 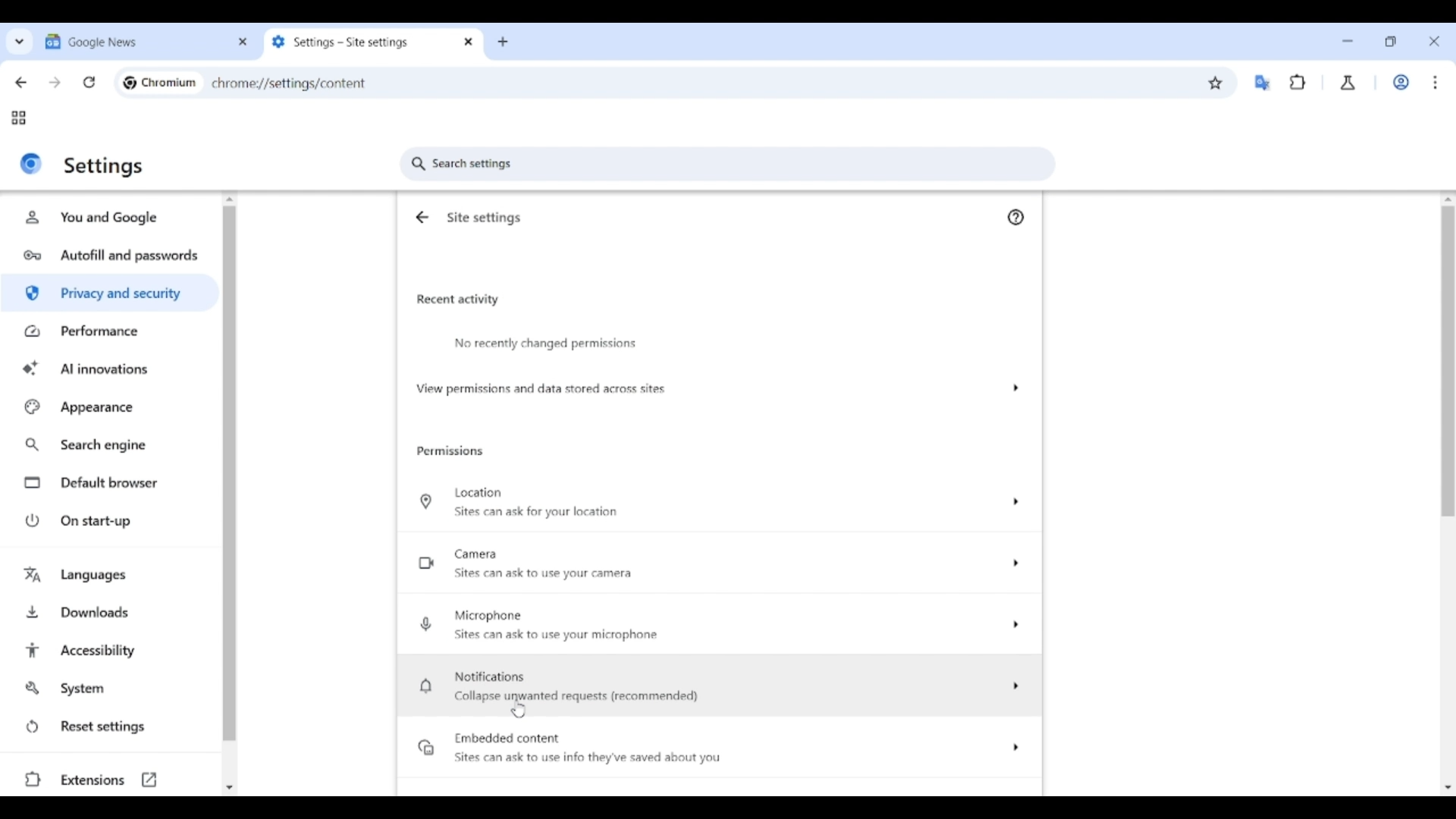 I want to click on Microphone options, so click(x=720, y=627).